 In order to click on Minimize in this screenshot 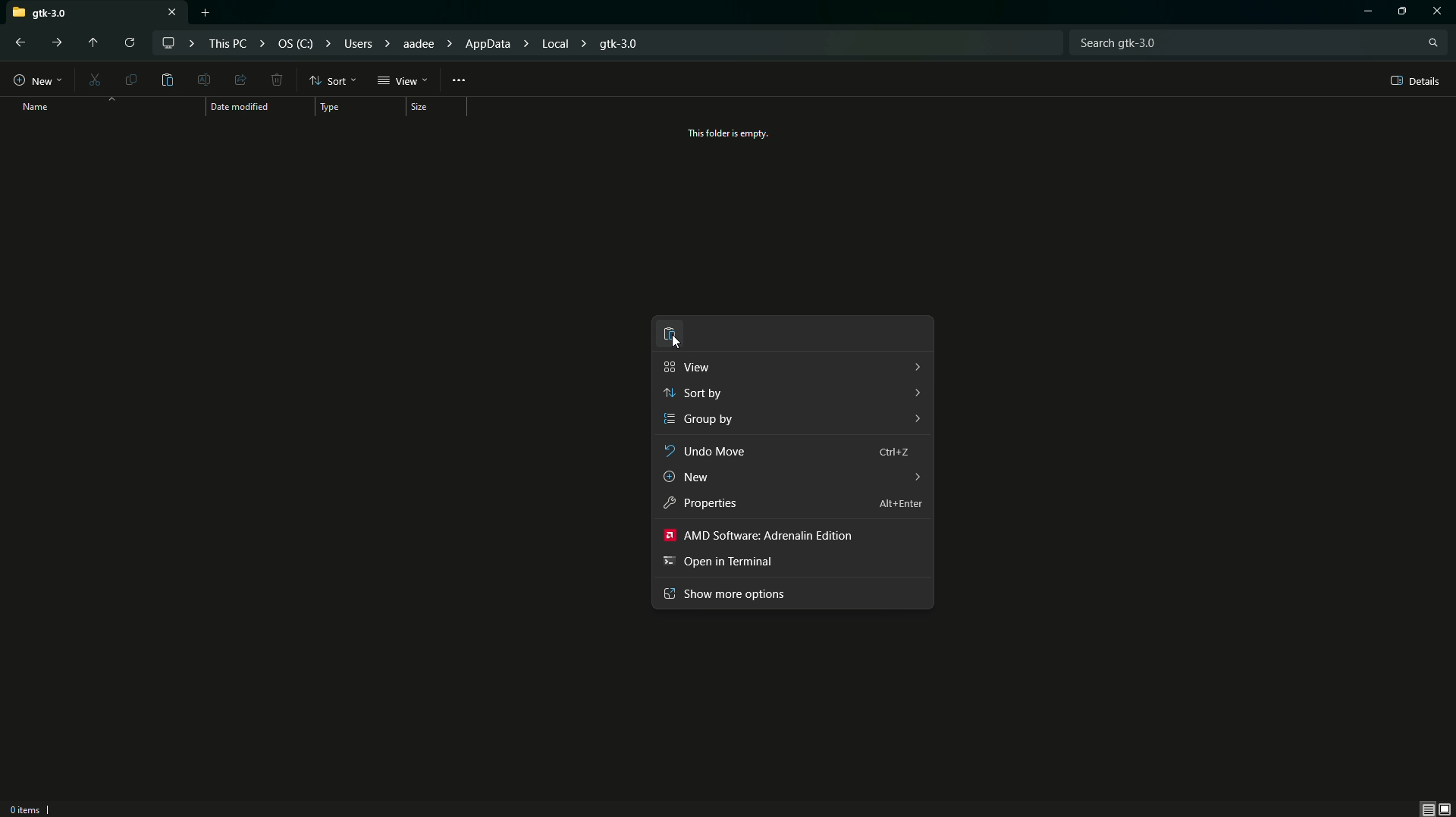, I will do `click(1360, 13)`.